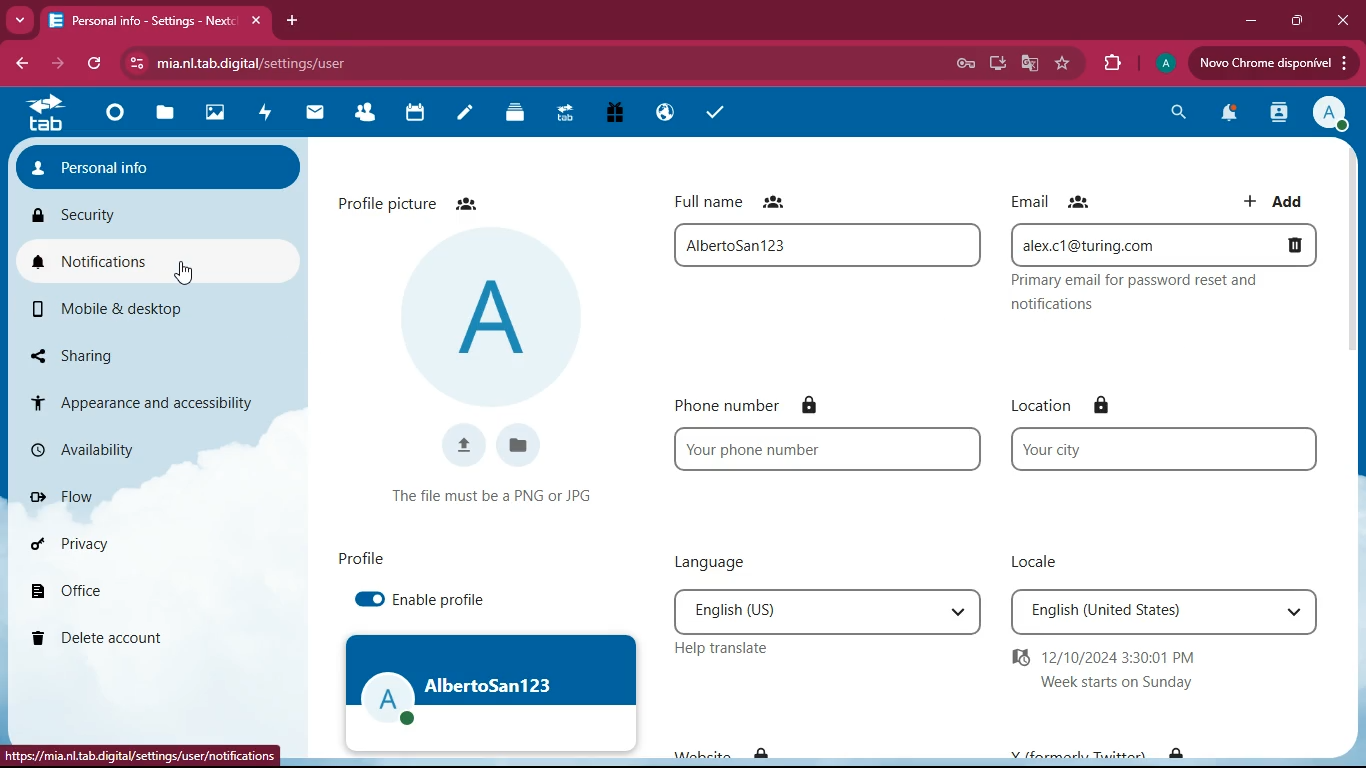 This screenshot has width=1366, height=768. Describe the element at coordinates (315, 112) in the screenshot. I see `mail` at that location.